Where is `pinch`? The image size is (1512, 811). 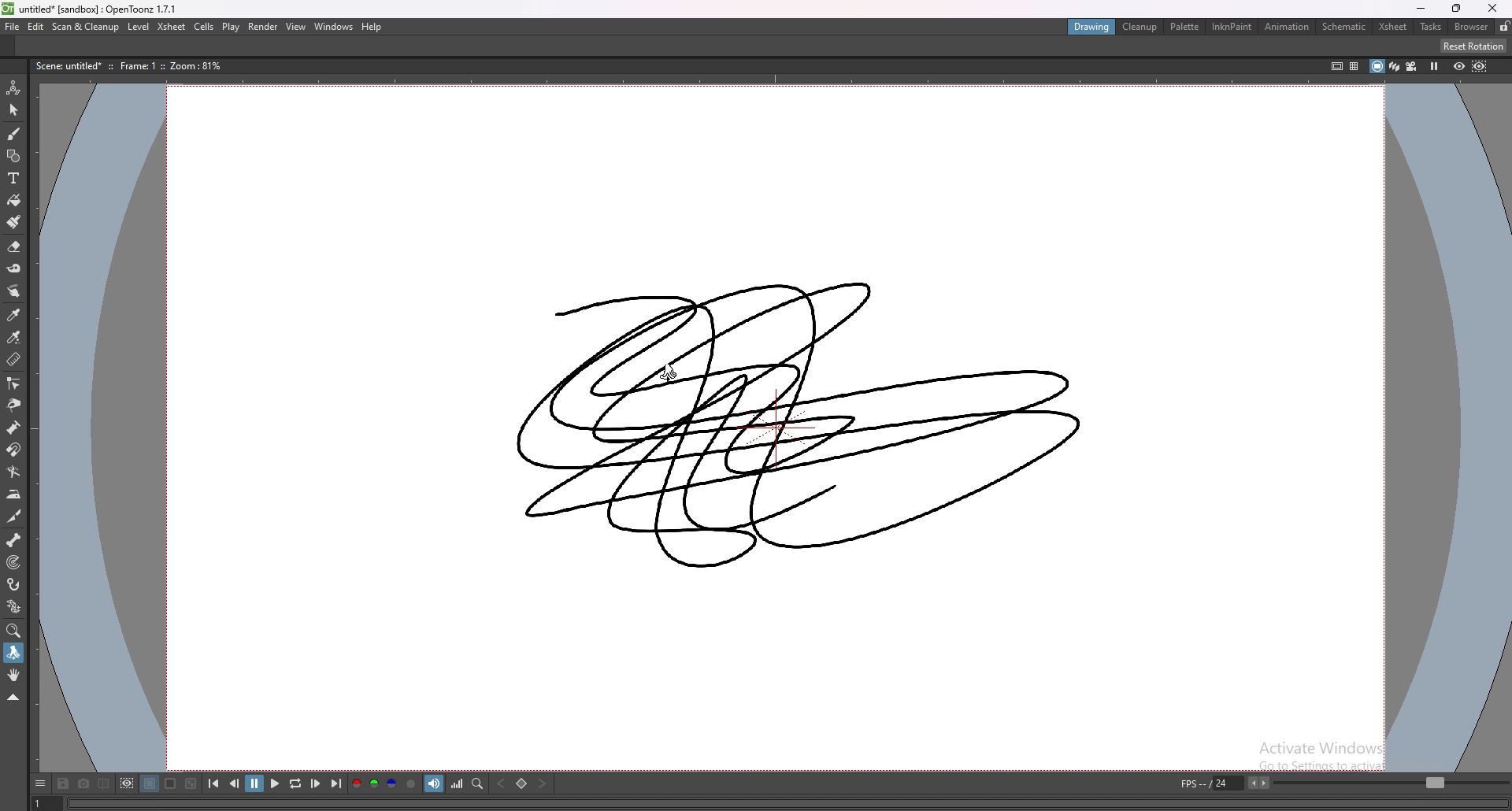 pinch is located at coordinates (15, 405).